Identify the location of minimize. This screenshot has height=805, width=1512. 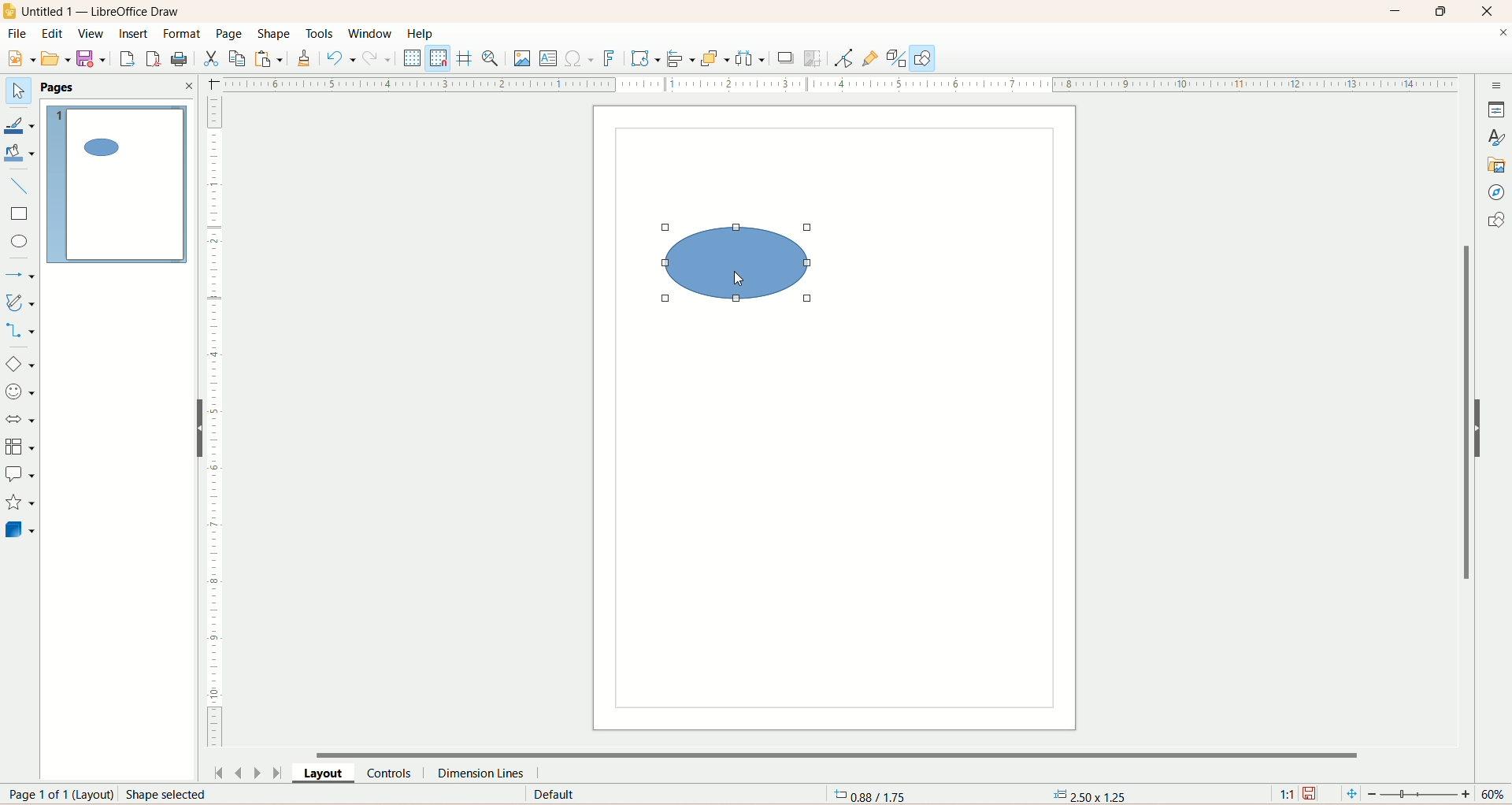
(1399, 9).